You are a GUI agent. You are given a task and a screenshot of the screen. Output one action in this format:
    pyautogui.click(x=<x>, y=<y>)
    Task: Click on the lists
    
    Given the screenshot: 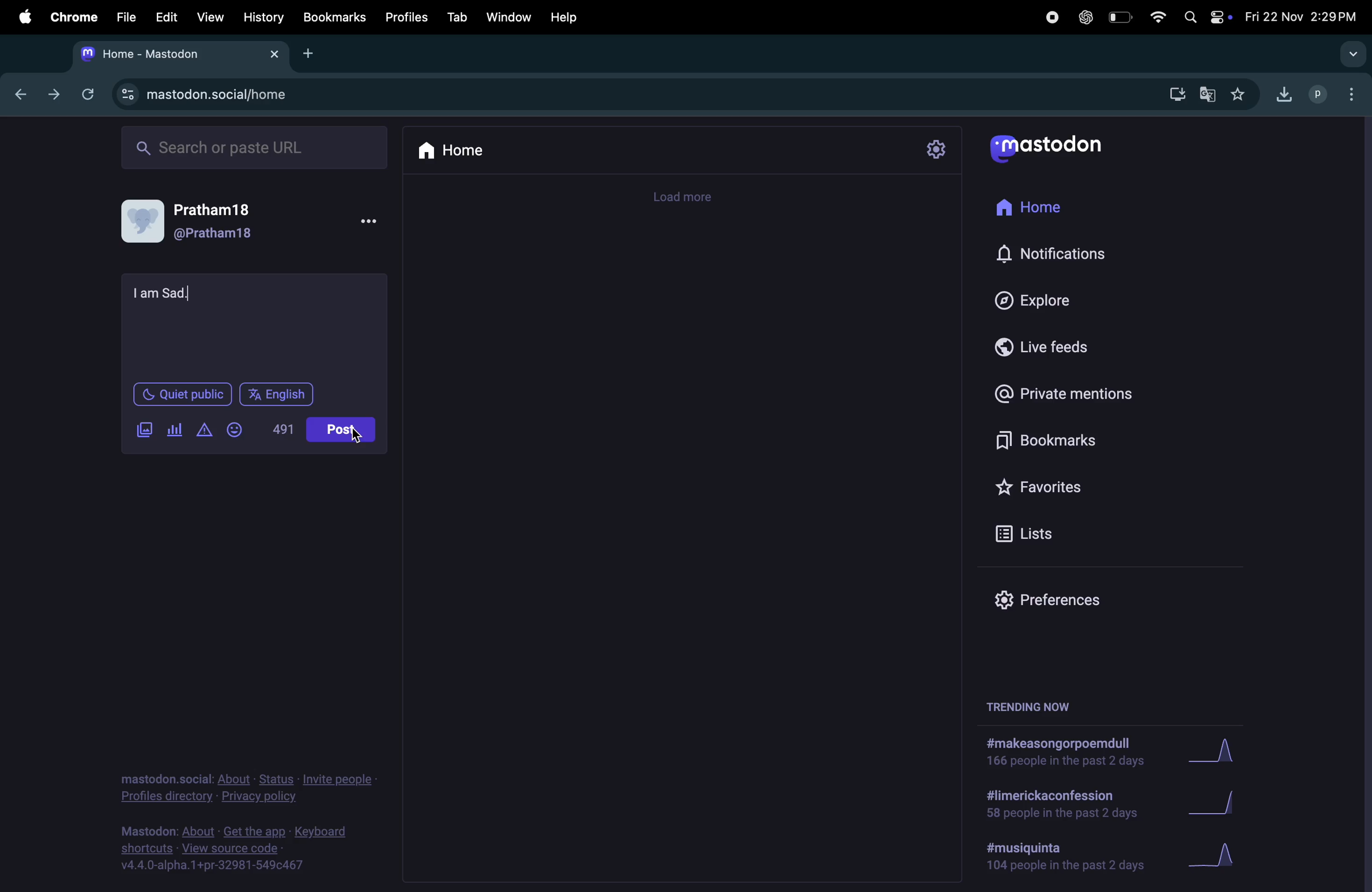 What is the action you would take?
    pyautogui.click(x=1074, y=532)
    